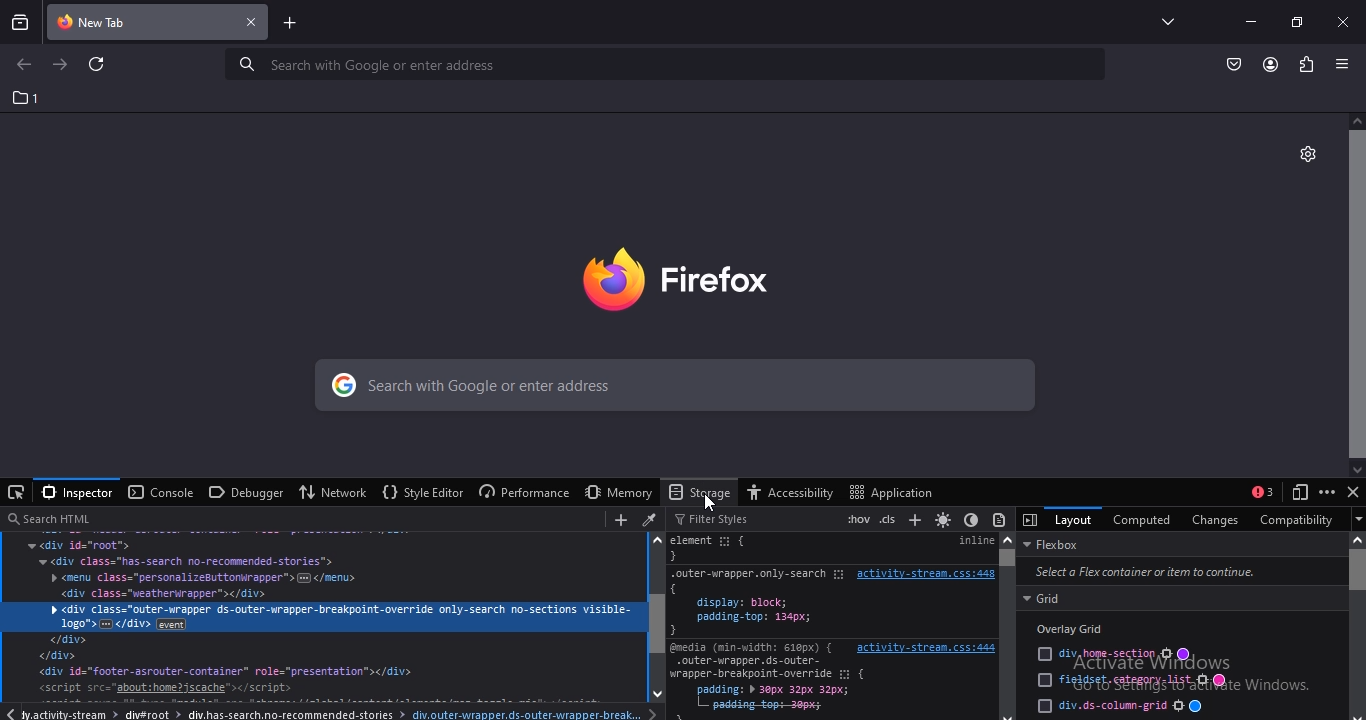 The image size is (1366, 720). What do you see at coordinates (1163, 21) in the screenshot?
I see `list all tabs` at bounding box center [1163, 21].